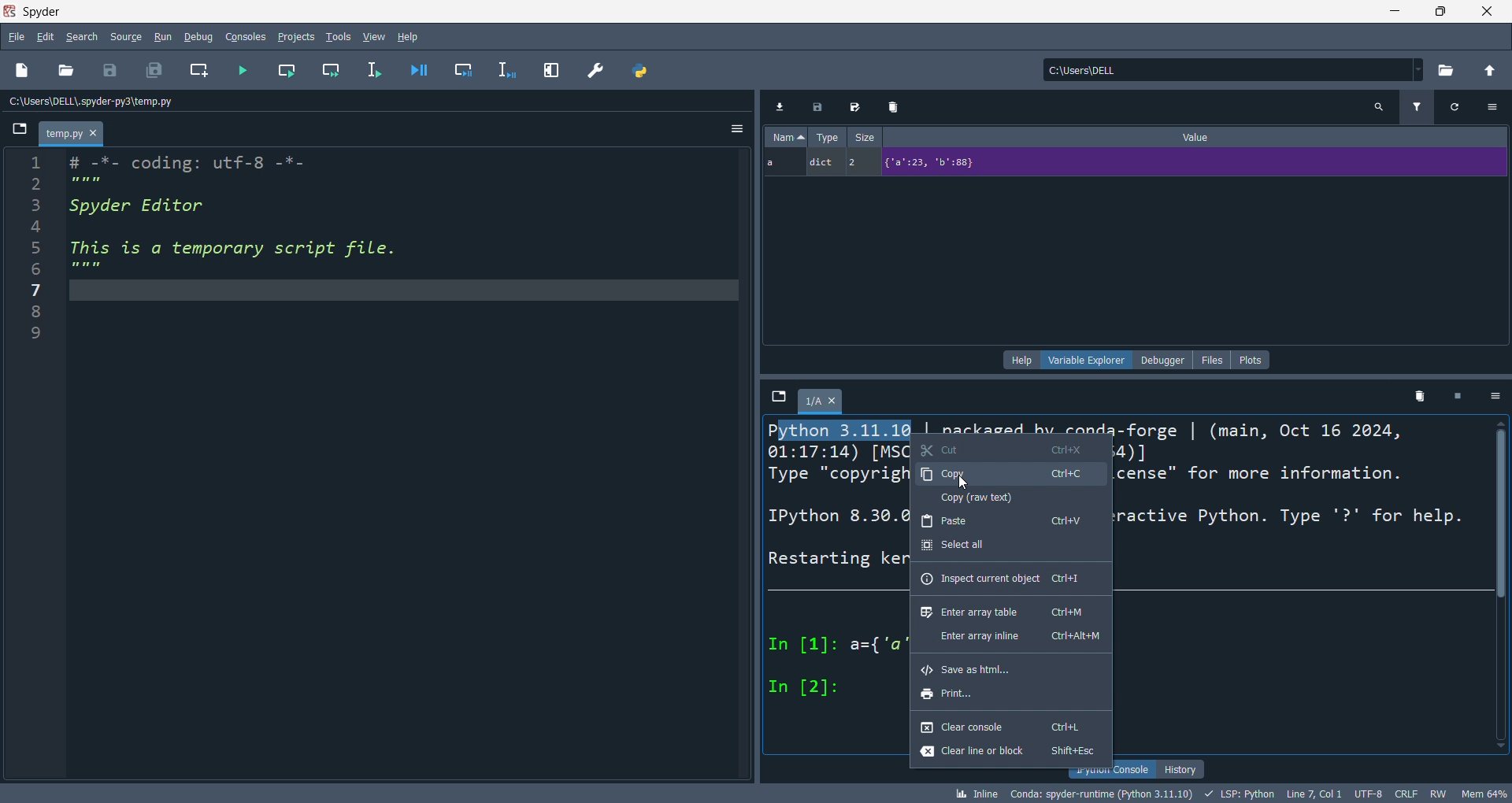 The image size is (1512, 803). Describe the element at coordinates (787, 136) in the screenshot. I see `name` at that location.